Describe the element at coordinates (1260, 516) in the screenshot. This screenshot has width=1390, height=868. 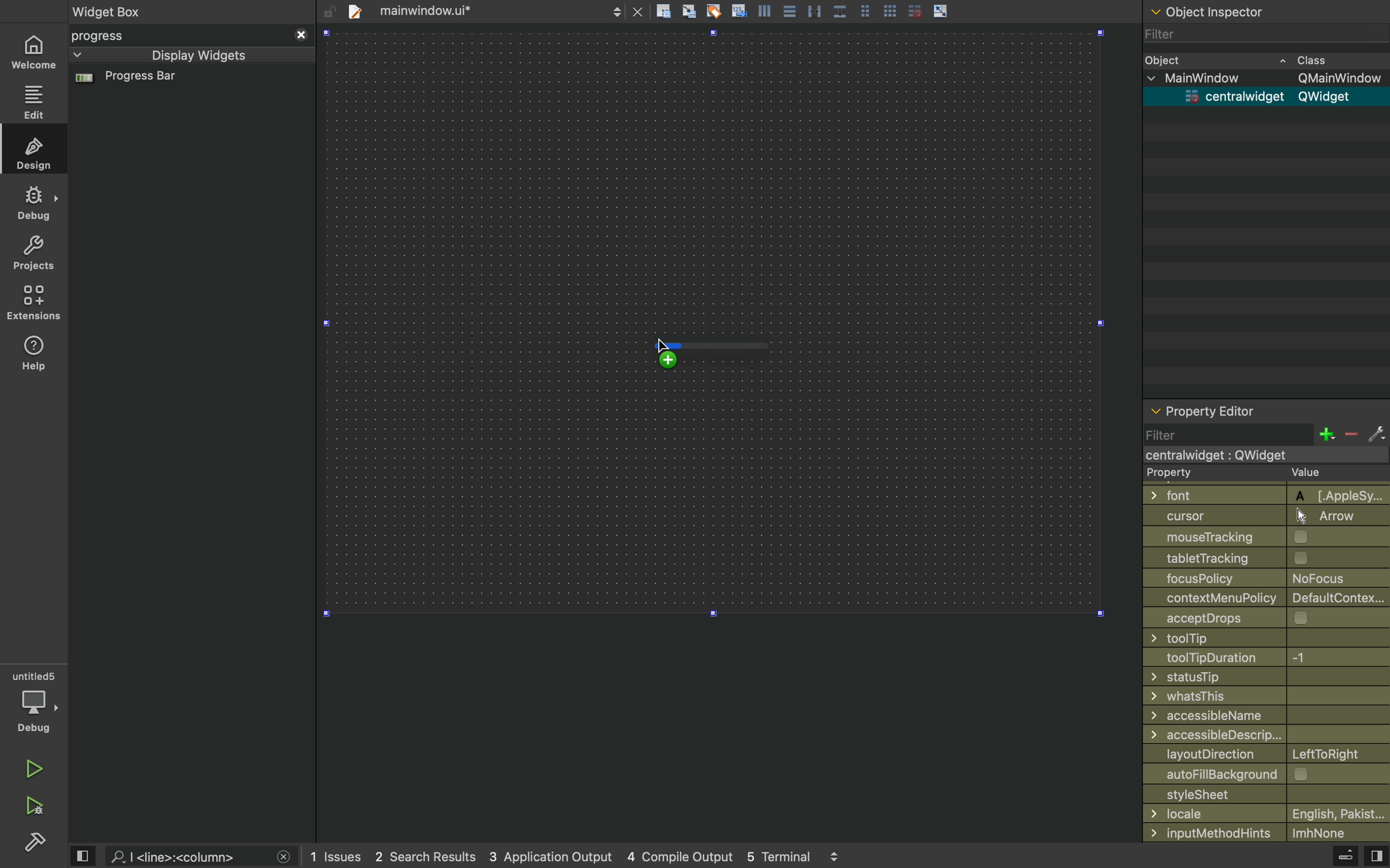
I see `cursor` at that location.